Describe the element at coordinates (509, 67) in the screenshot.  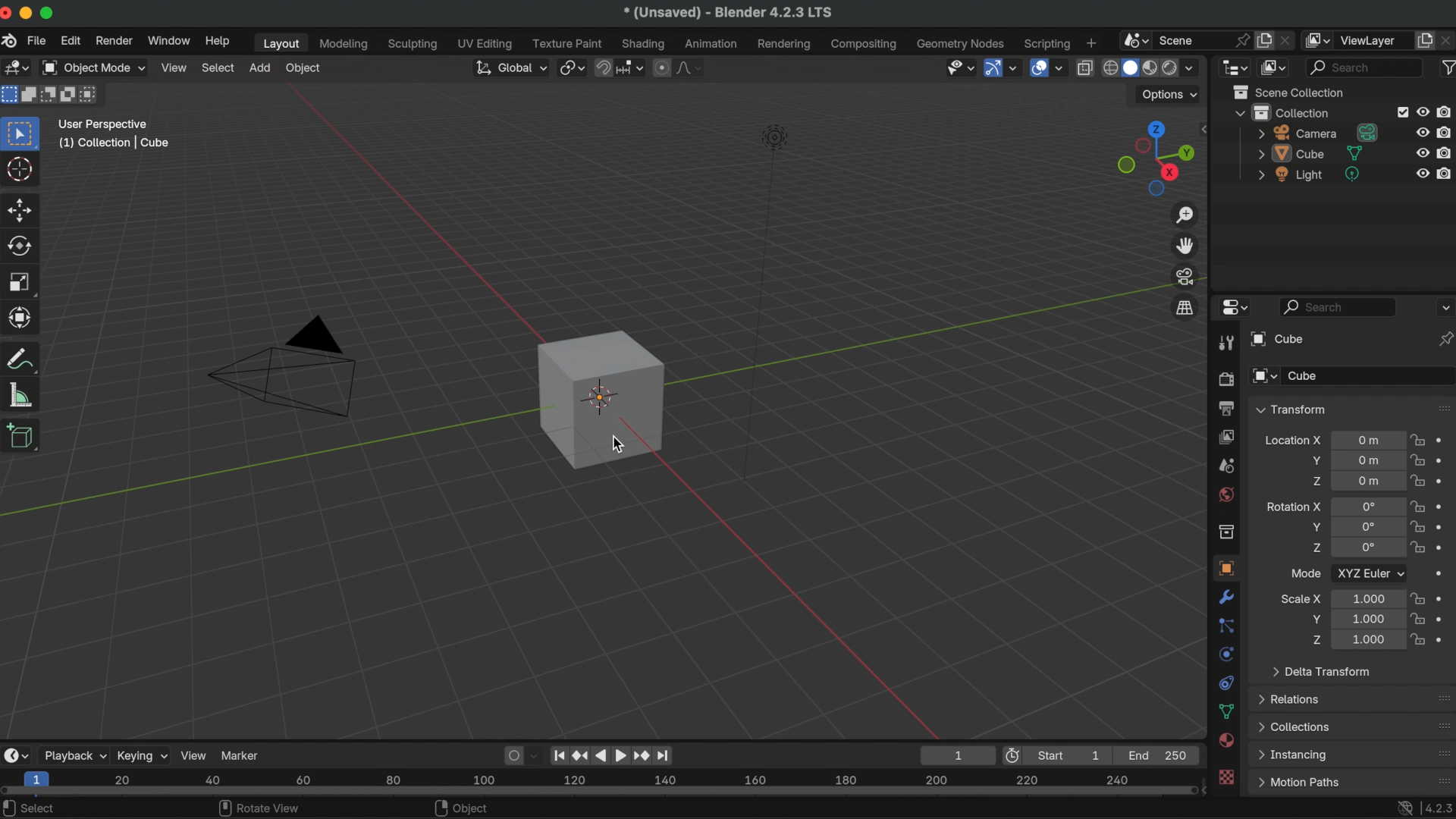
I see `transforming orientation global` at that location.